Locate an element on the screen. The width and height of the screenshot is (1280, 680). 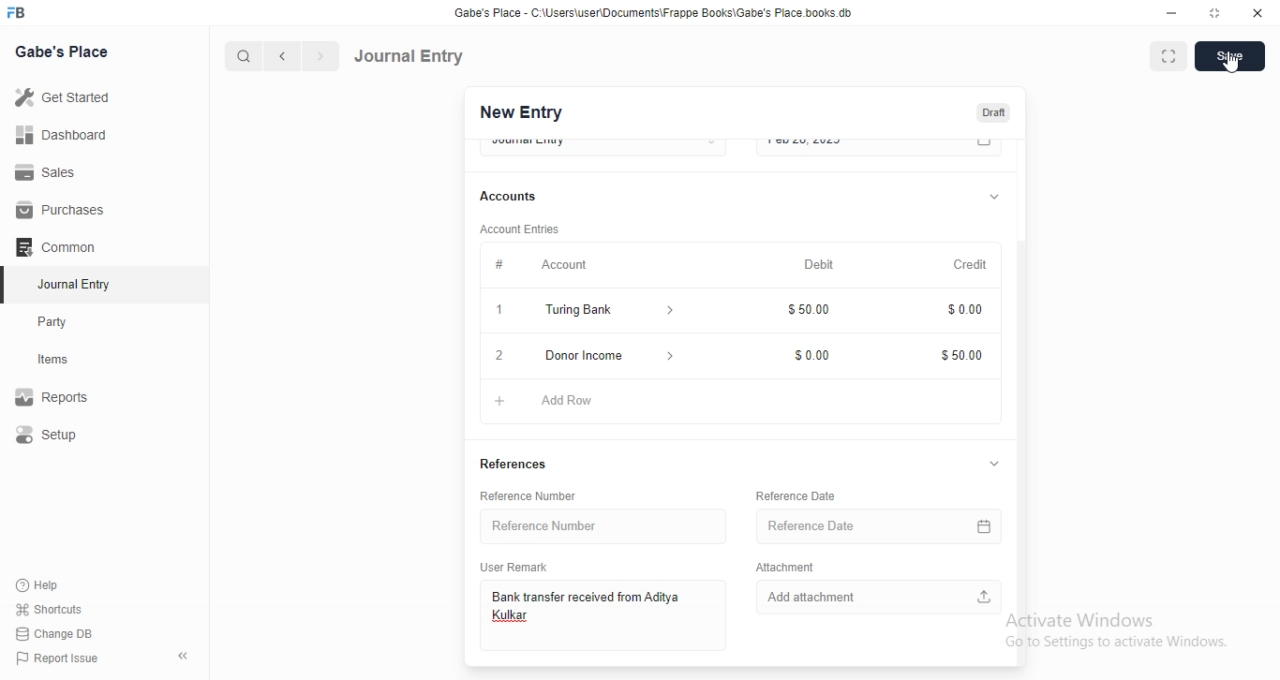
hide is located at coordinates (179, 657).